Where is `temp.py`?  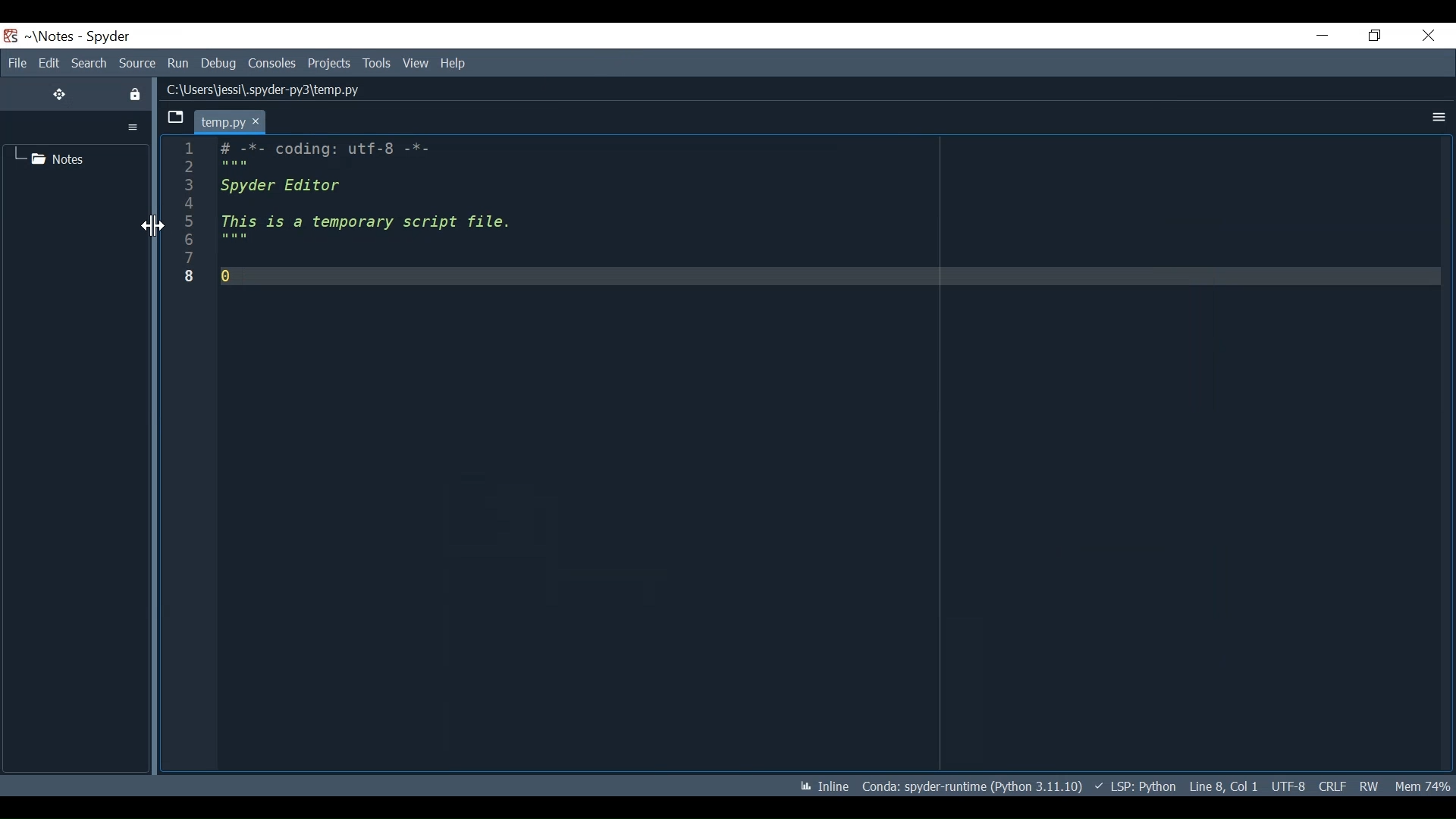
temp.py is located at coordinates (219, 121).